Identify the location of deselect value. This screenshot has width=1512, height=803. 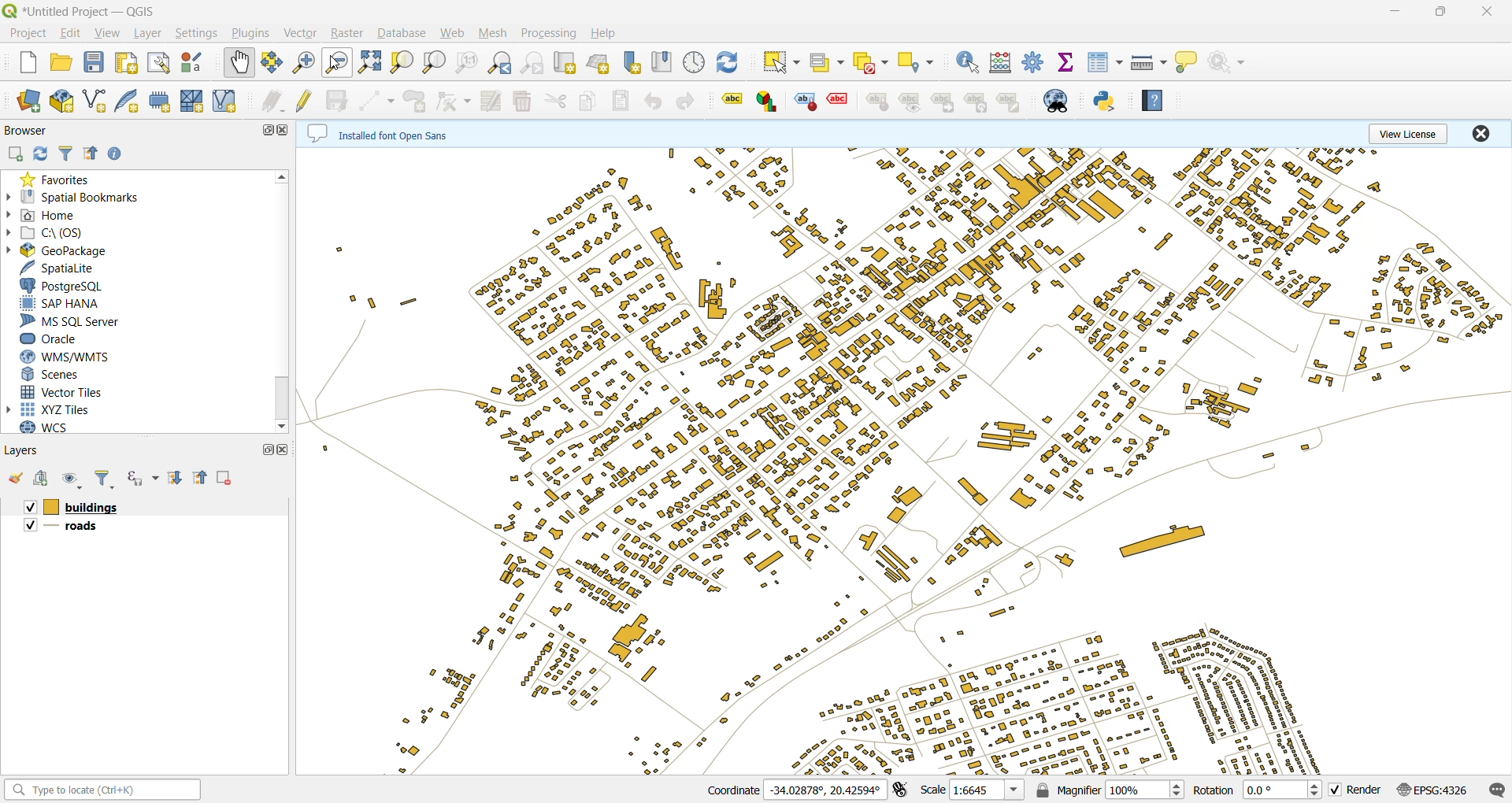
(869, 63).